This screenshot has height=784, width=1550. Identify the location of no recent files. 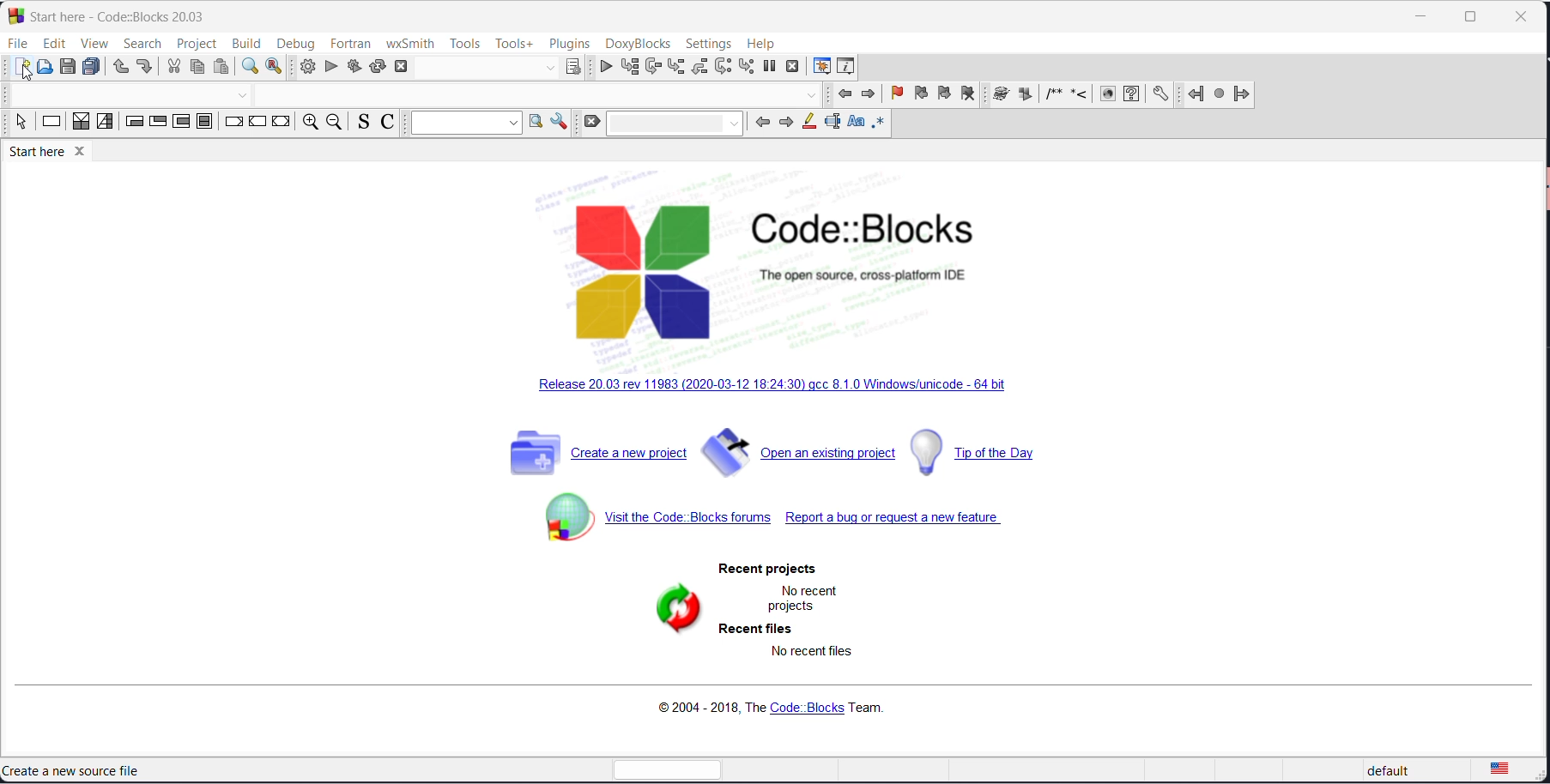
(814, 654).